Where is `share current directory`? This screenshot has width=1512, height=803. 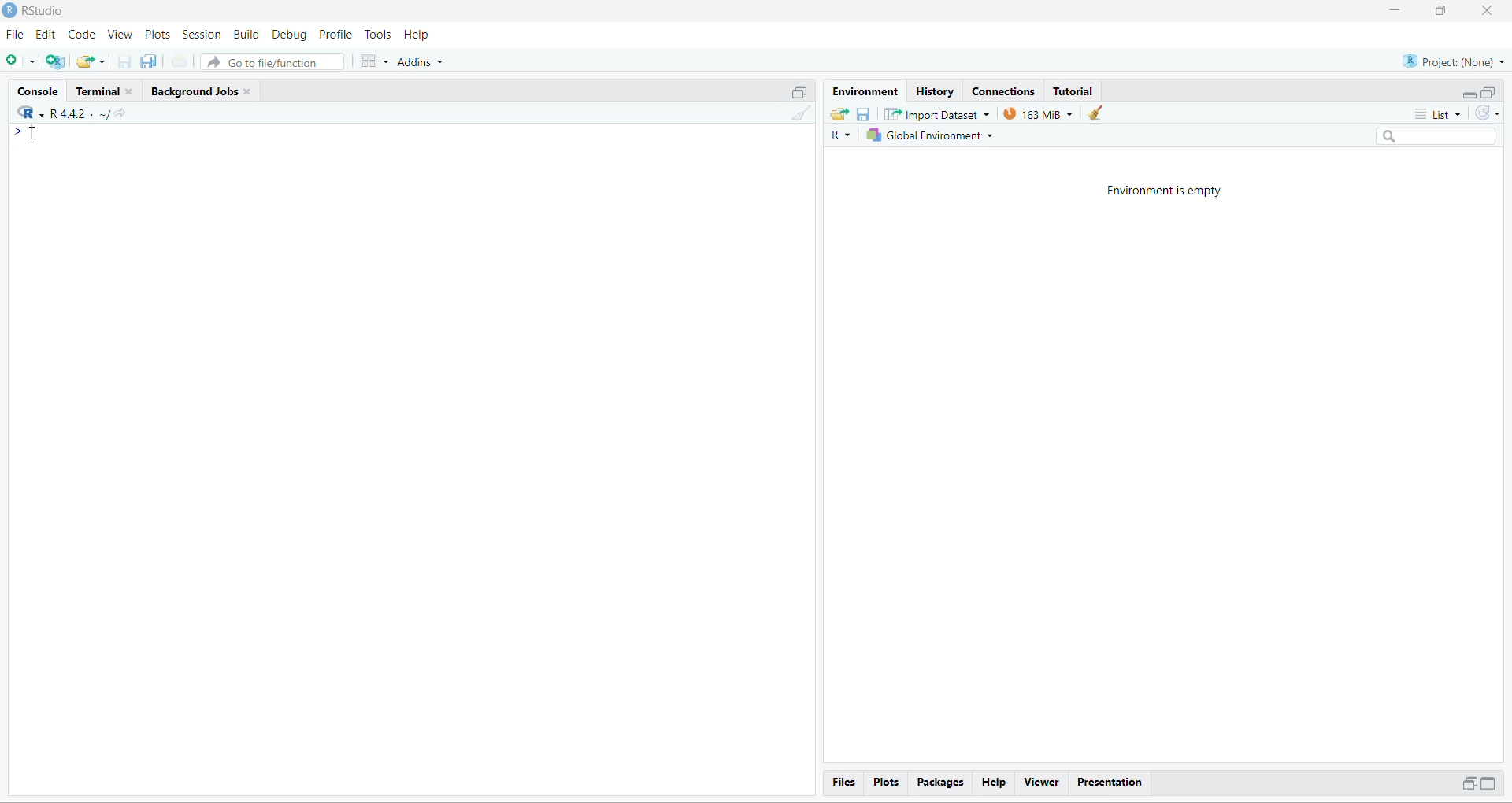 share current directory is located at coordinates (113, 116).